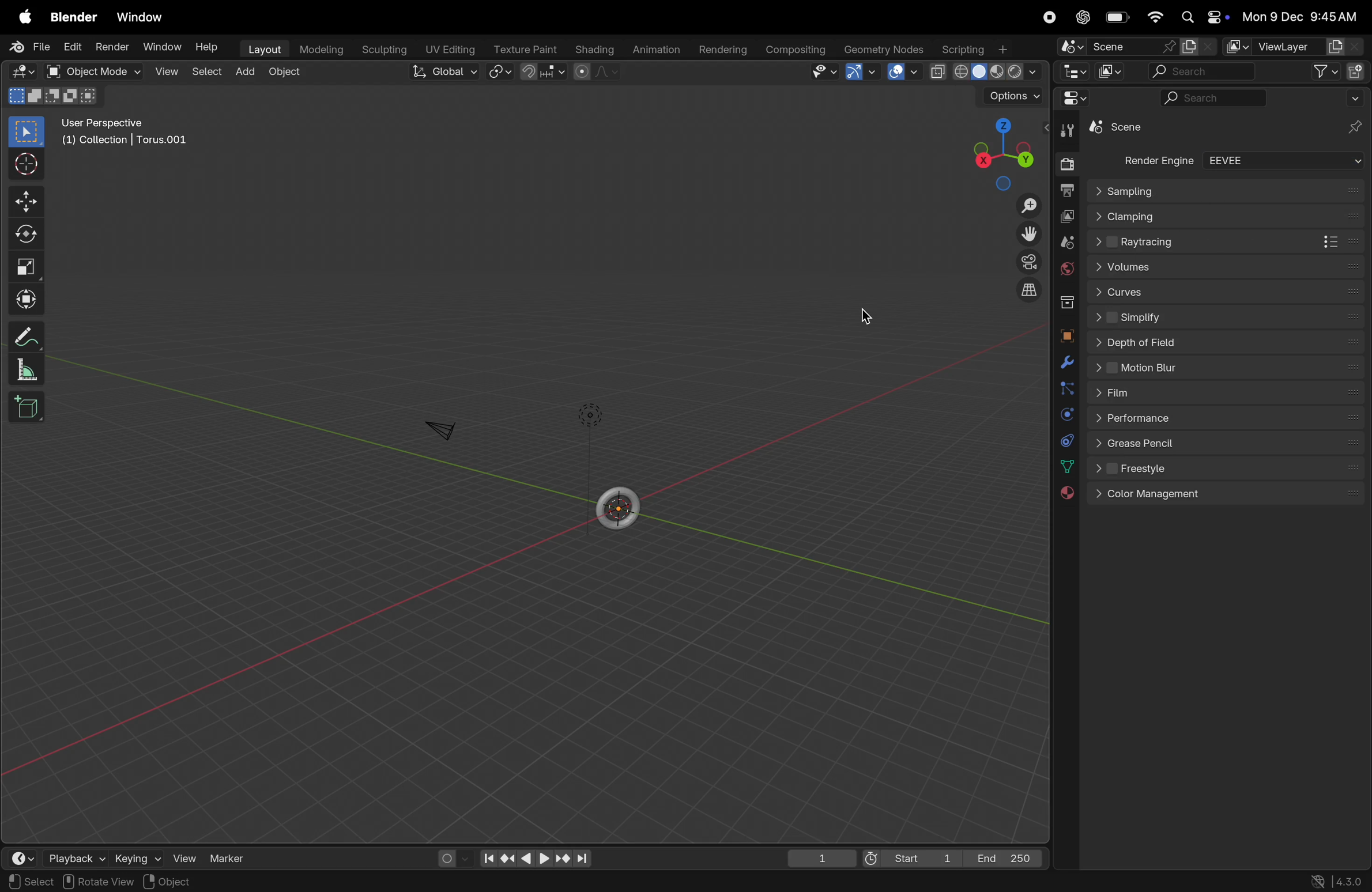  Describe the element at coordinates (28, 165) in the screenshot. I see `cursor` at that location.